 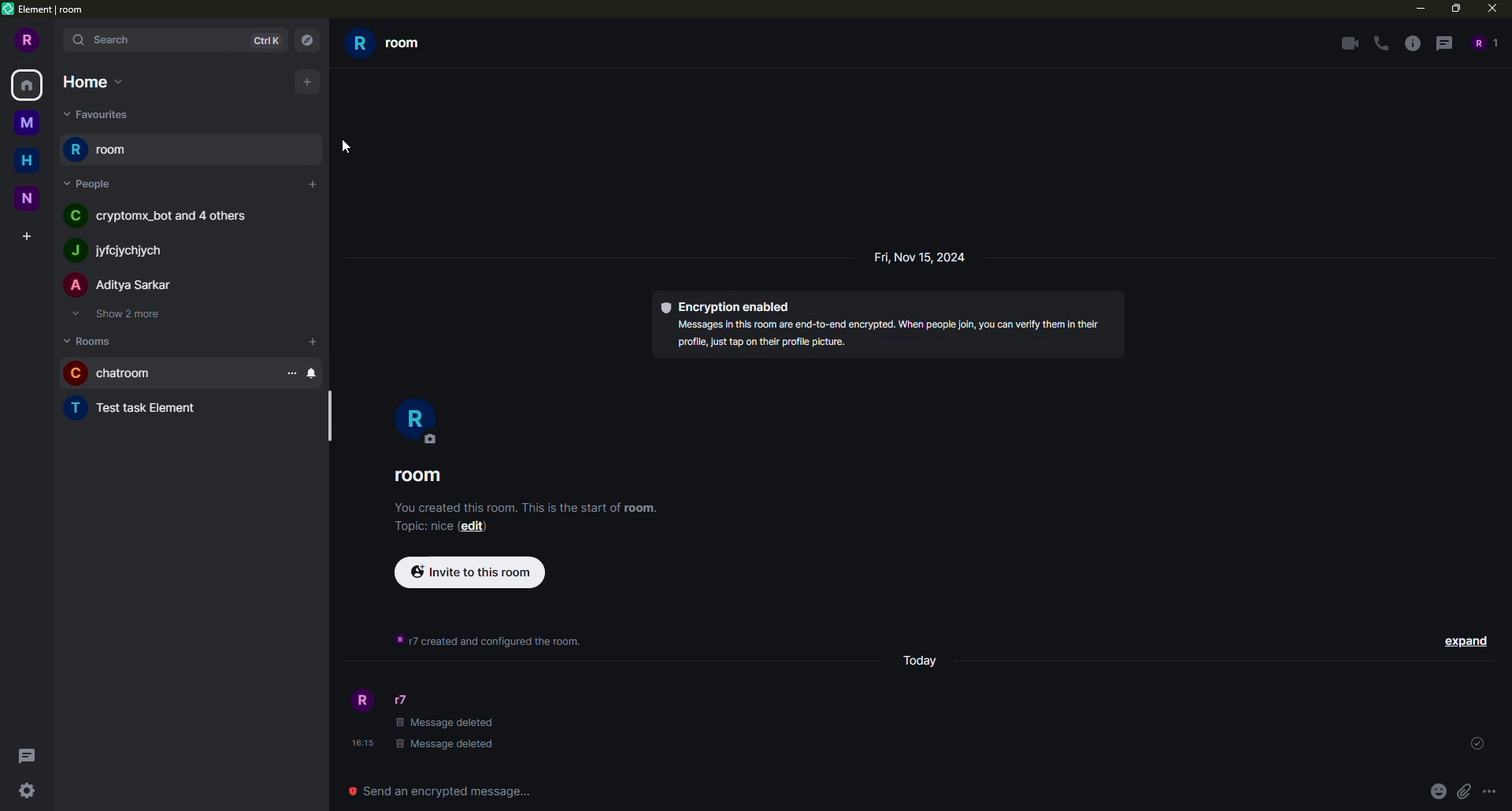 I want to click on edit, so click(x=475, y=529).